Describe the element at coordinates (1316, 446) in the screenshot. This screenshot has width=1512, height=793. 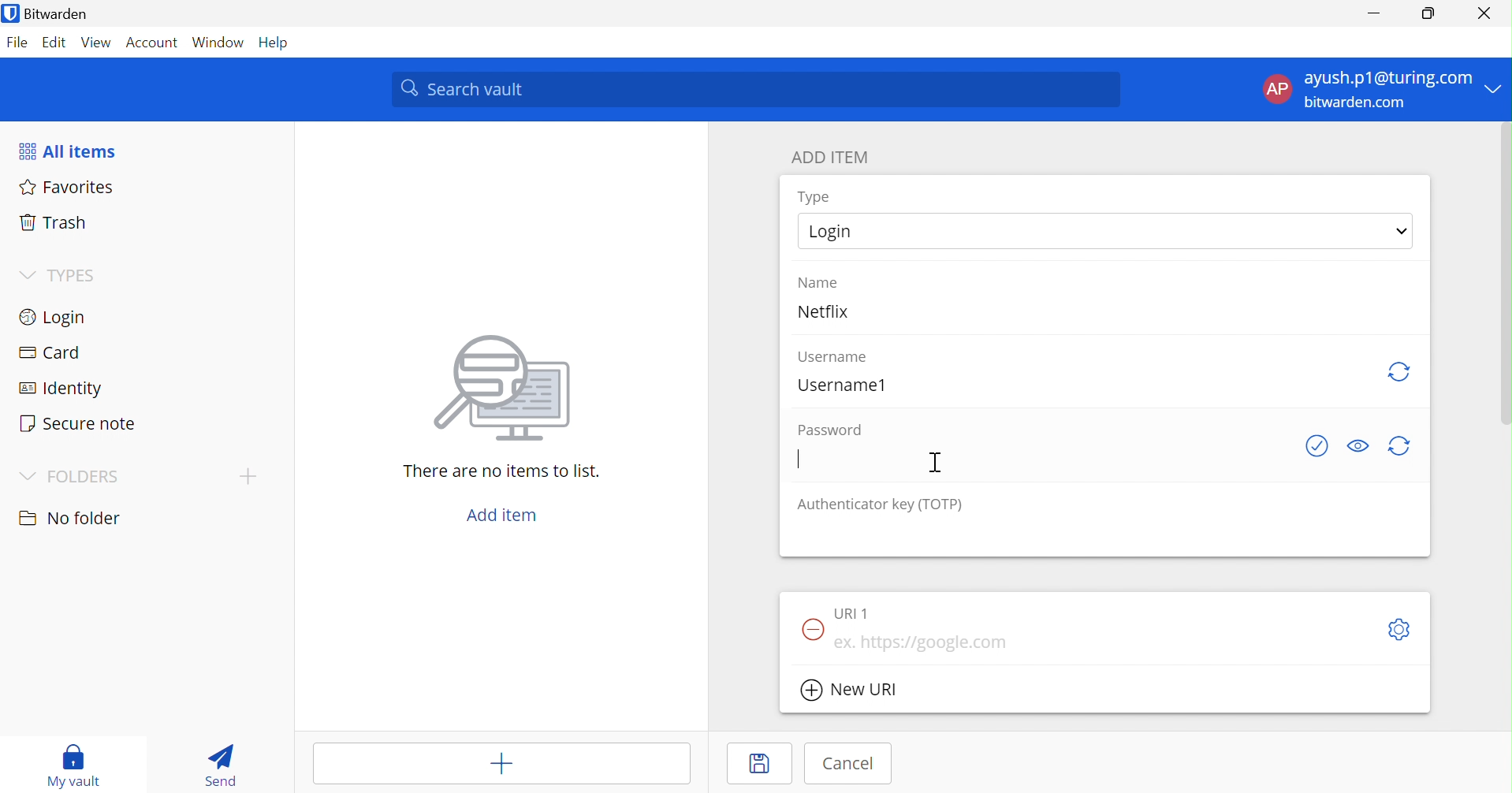
I see `Check if password as been exposed` at that location.